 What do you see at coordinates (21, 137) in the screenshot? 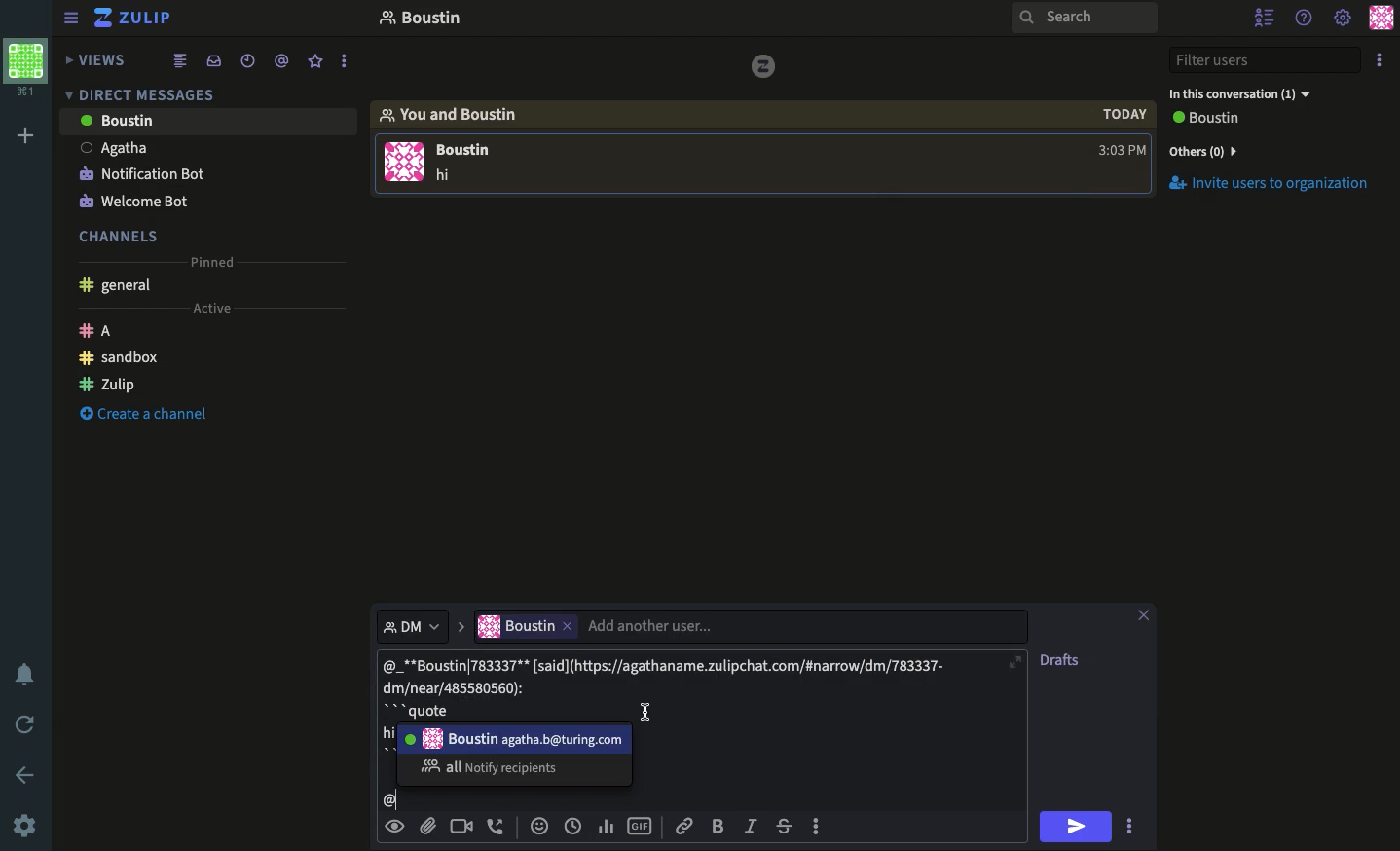
I see `Add` at bounding box center [21, 137].